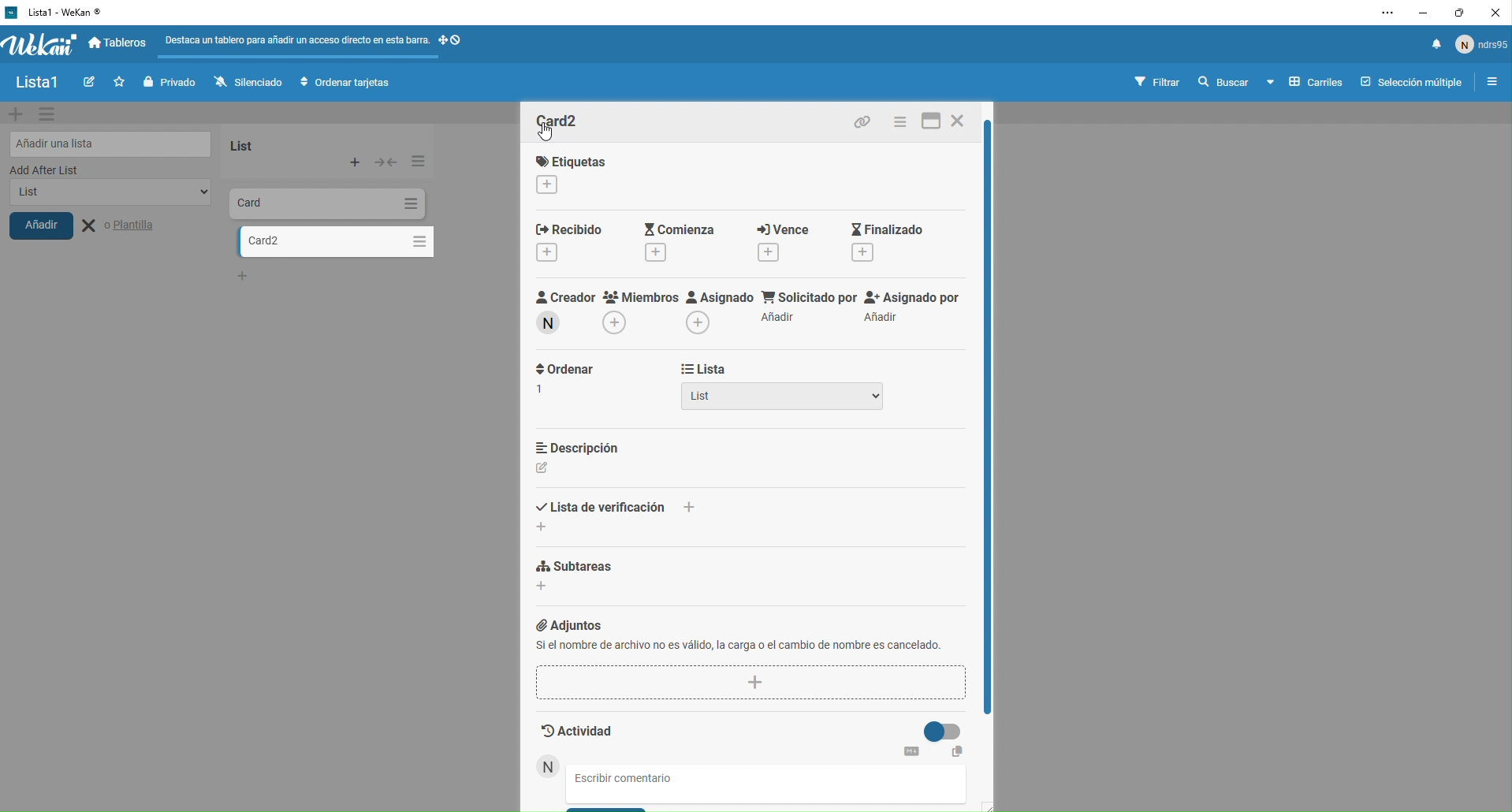  Describe the element at coordinates (1222, 83) in the screenshot. I see `buscar` at that location.